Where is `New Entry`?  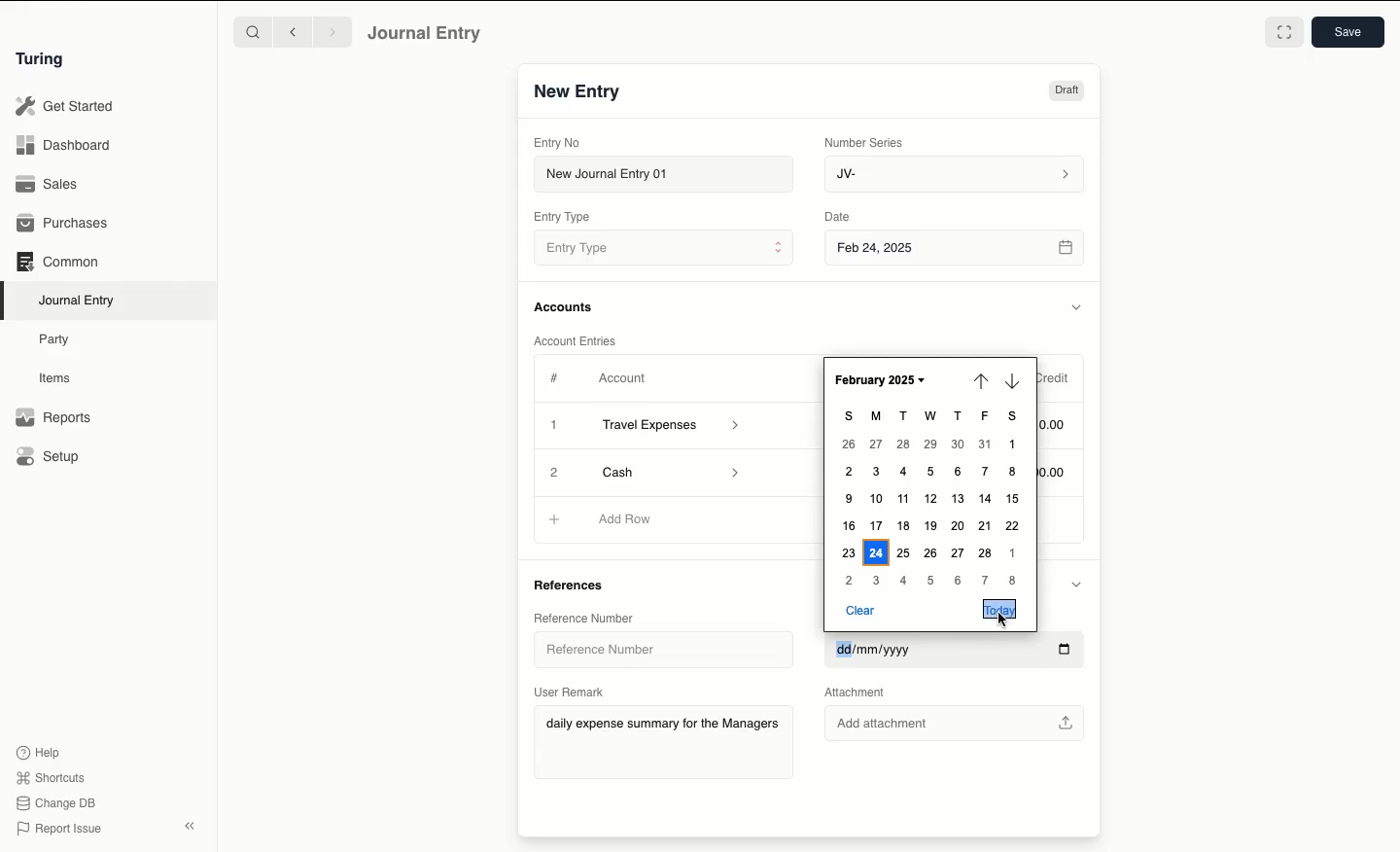
New Entry is located at coordinates (578, 92).